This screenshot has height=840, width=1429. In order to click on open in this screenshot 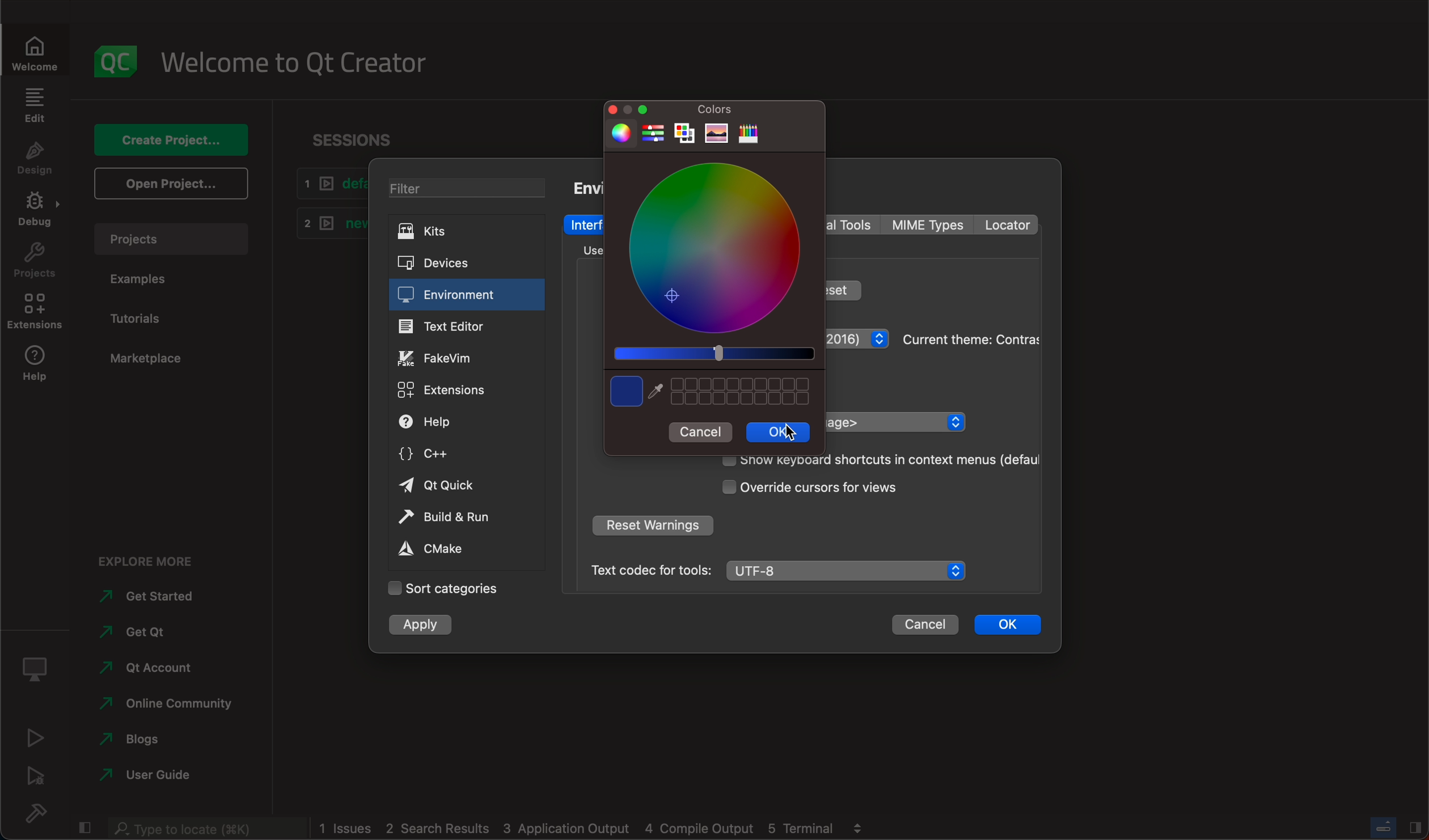, I will do `click(169, 183)`.